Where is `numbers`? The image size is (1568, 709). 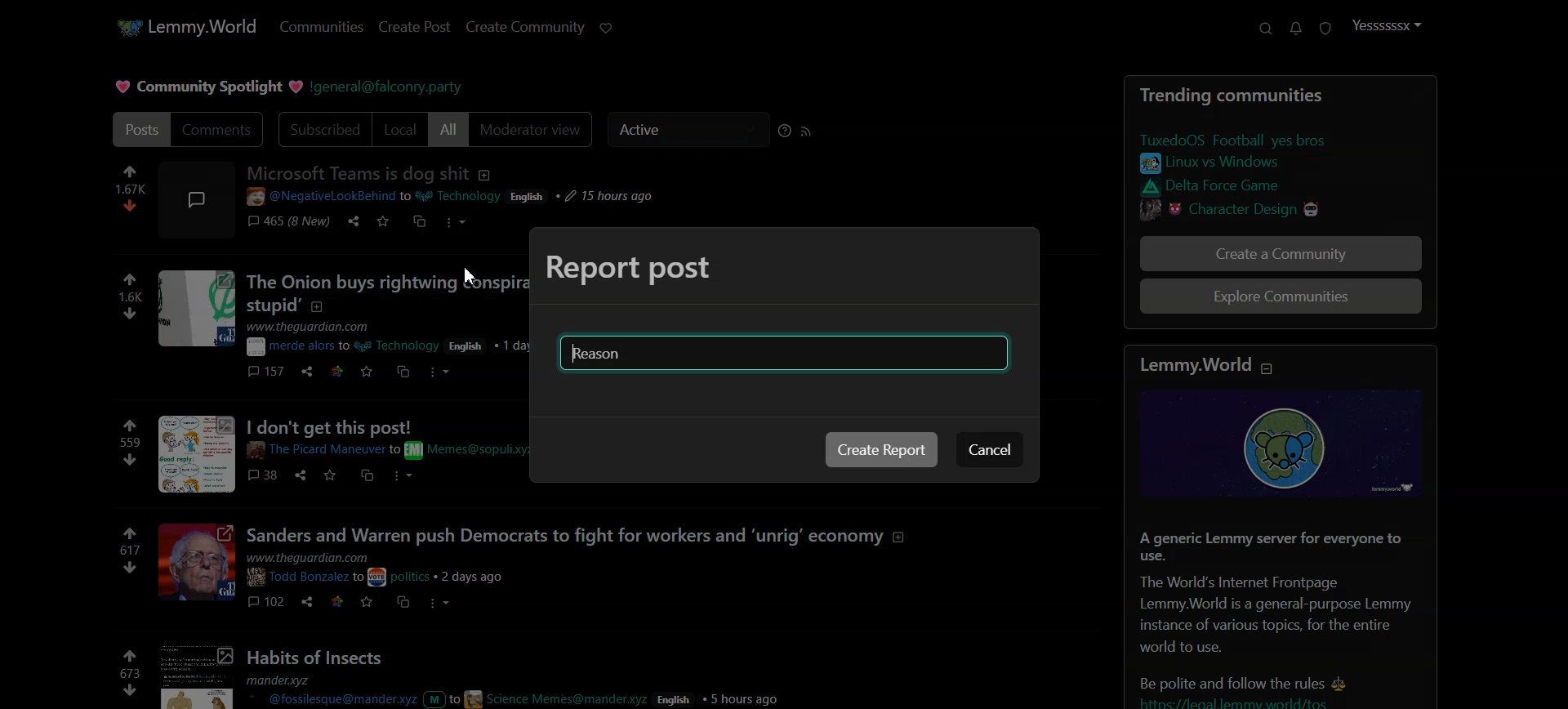 numbers is located at coordinates (129, 675).